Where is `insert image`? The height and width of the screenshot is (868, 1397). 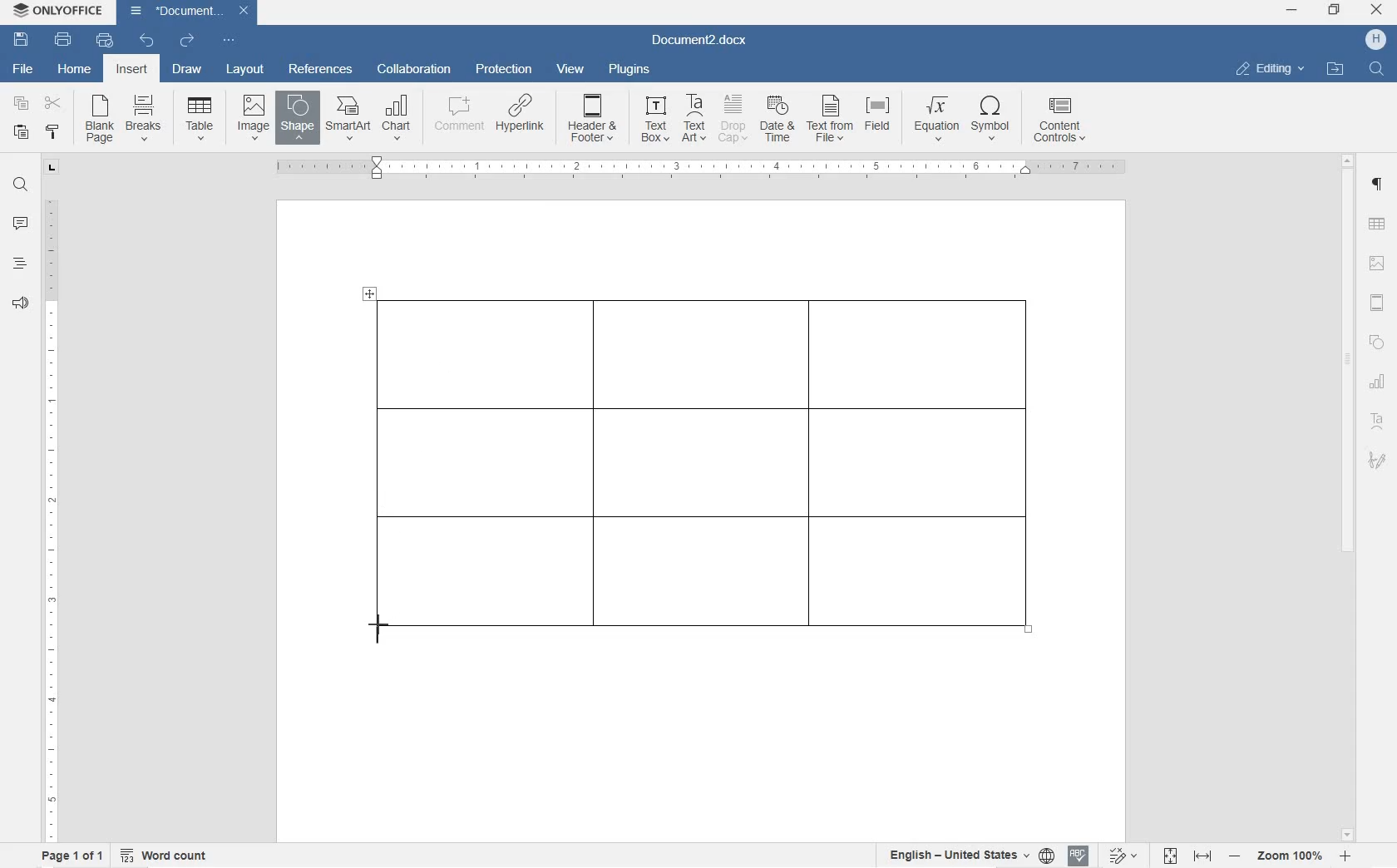 insert image is located at coordinates (254, 116).